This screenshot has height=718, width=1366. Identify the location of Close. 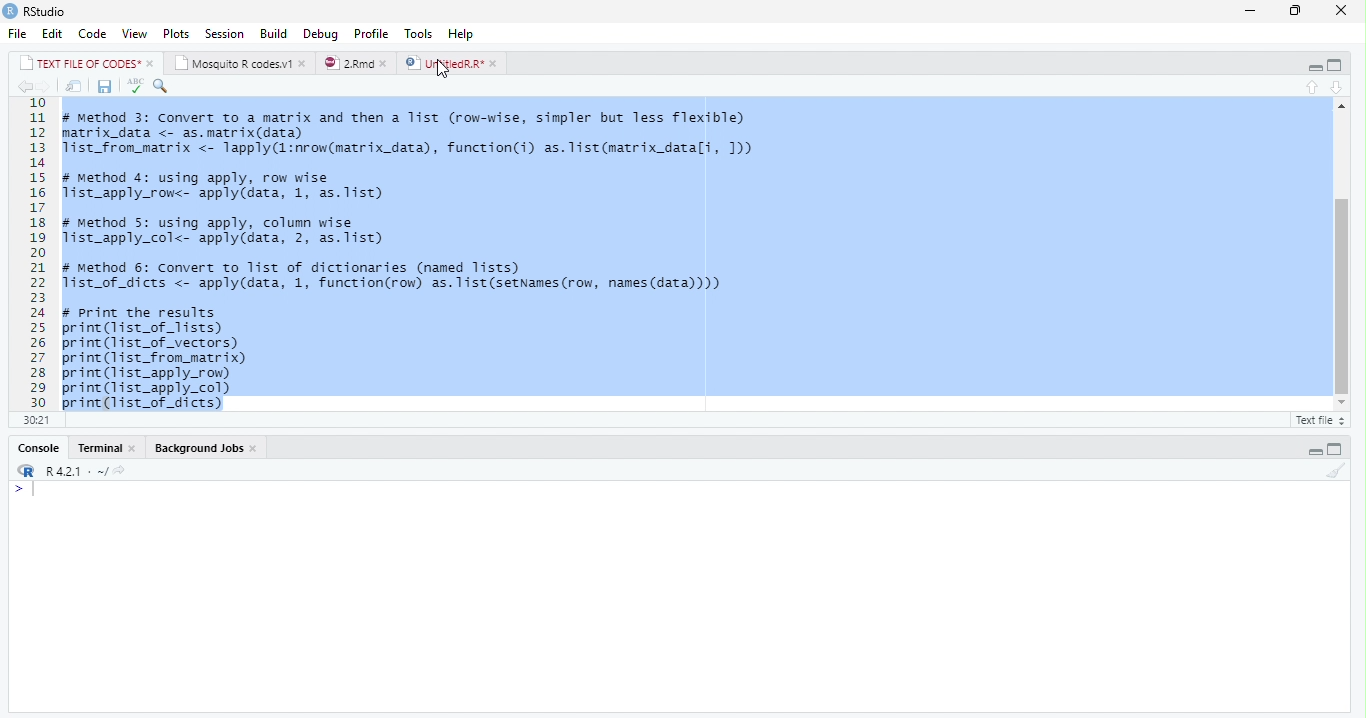
(1342, 10).